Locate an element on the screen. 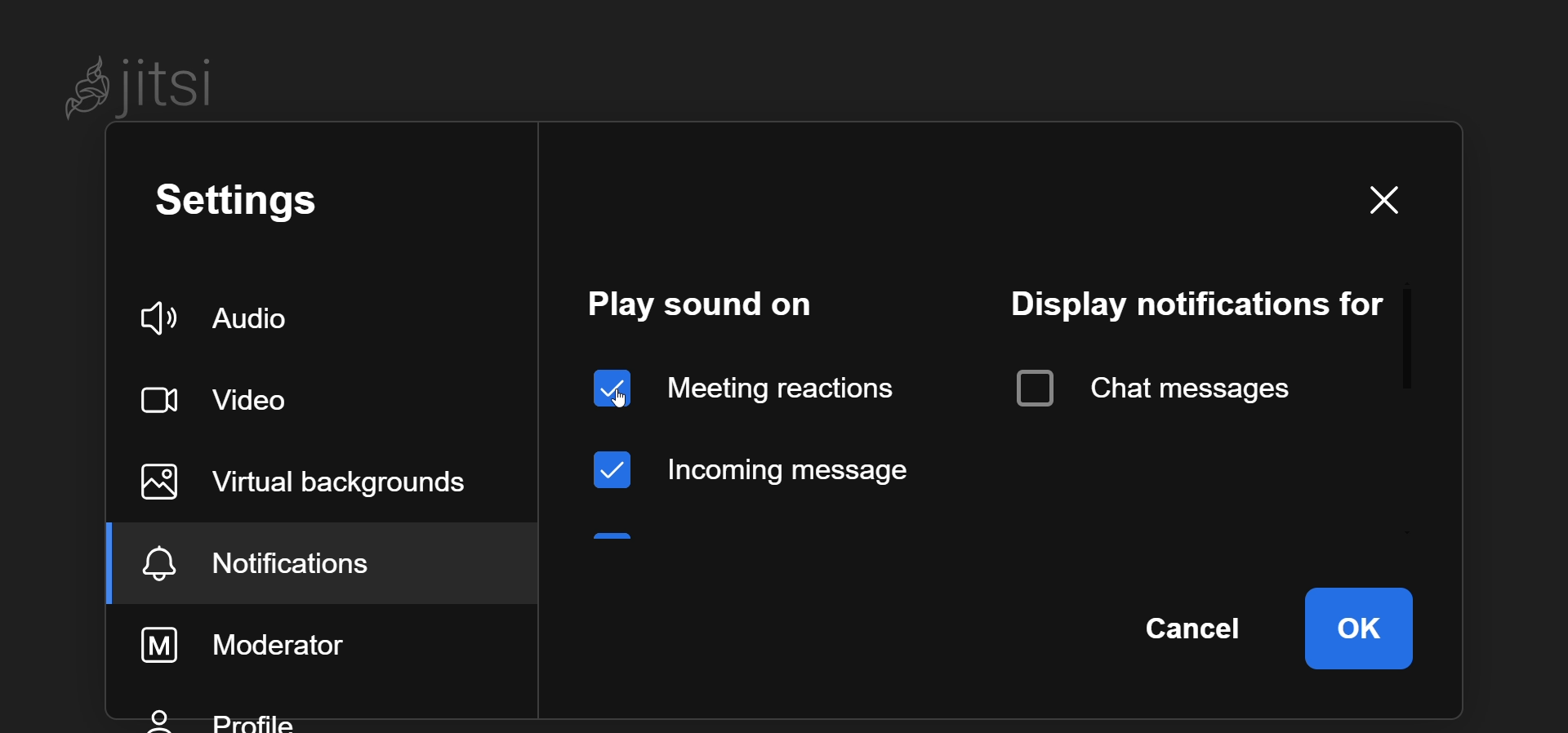  cancel is located at coordinates (1196, 629).